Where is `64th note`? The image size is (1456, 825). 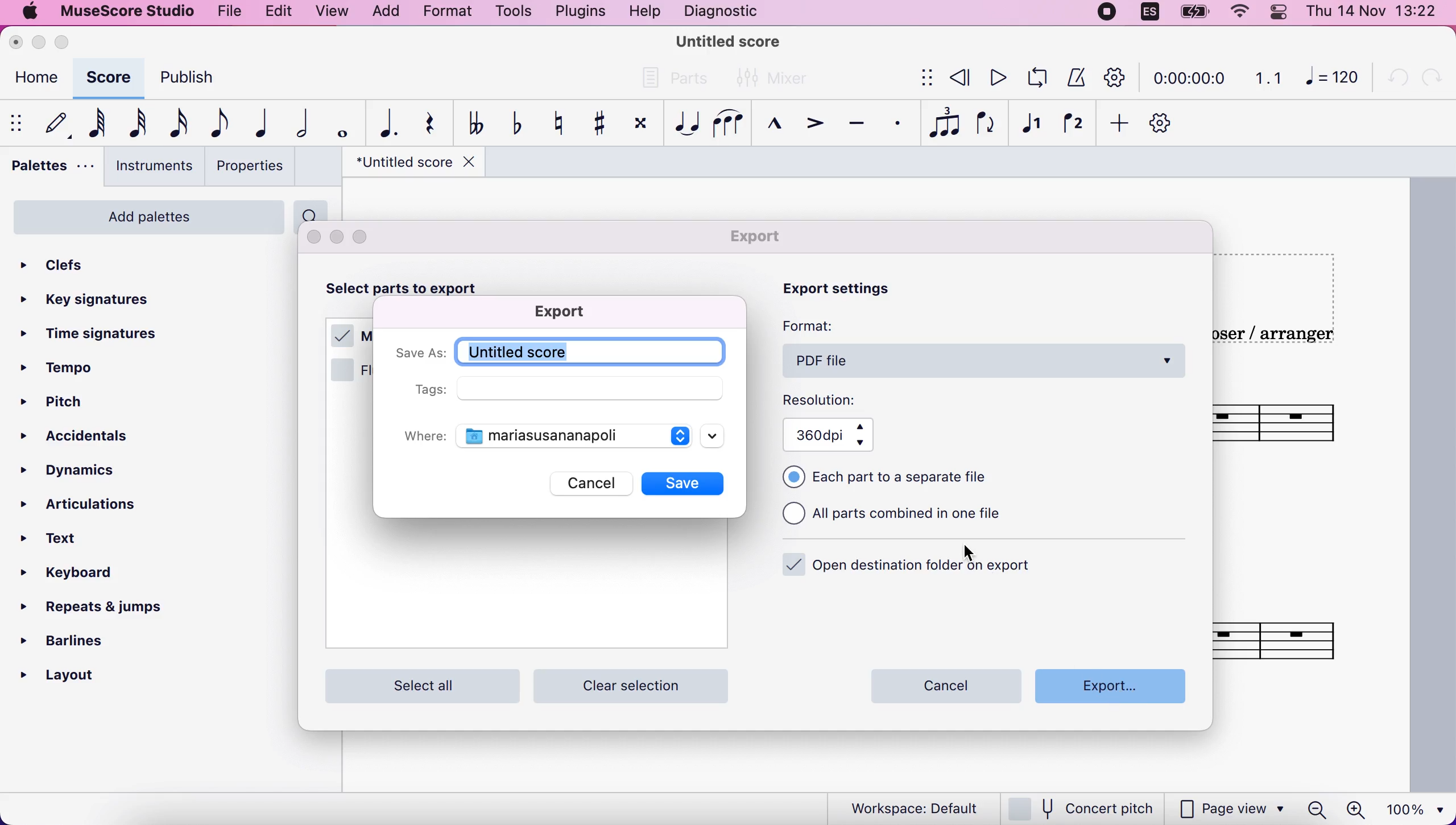
64th note is located at coordinates (94, 125).